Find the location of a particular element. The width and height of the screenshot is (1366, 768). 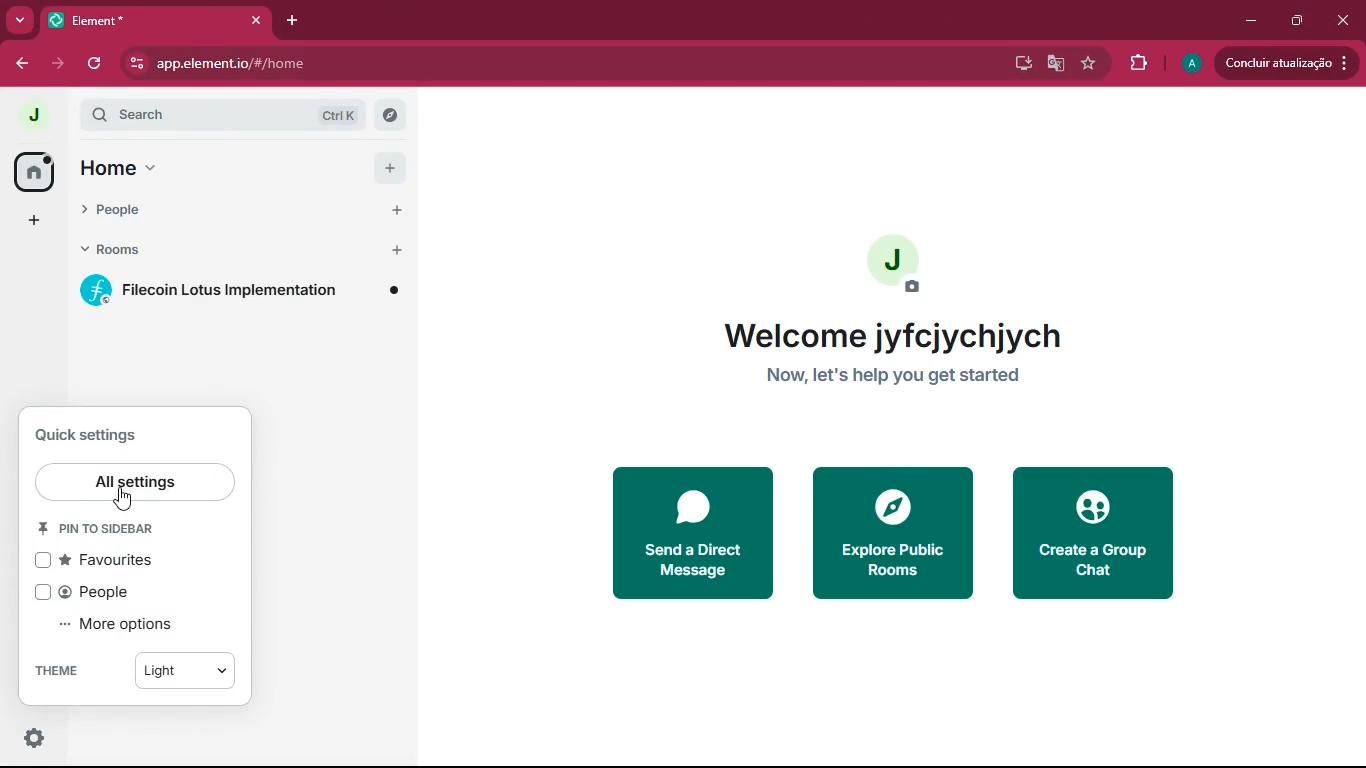

rooms is located at coordinates (213, 248).